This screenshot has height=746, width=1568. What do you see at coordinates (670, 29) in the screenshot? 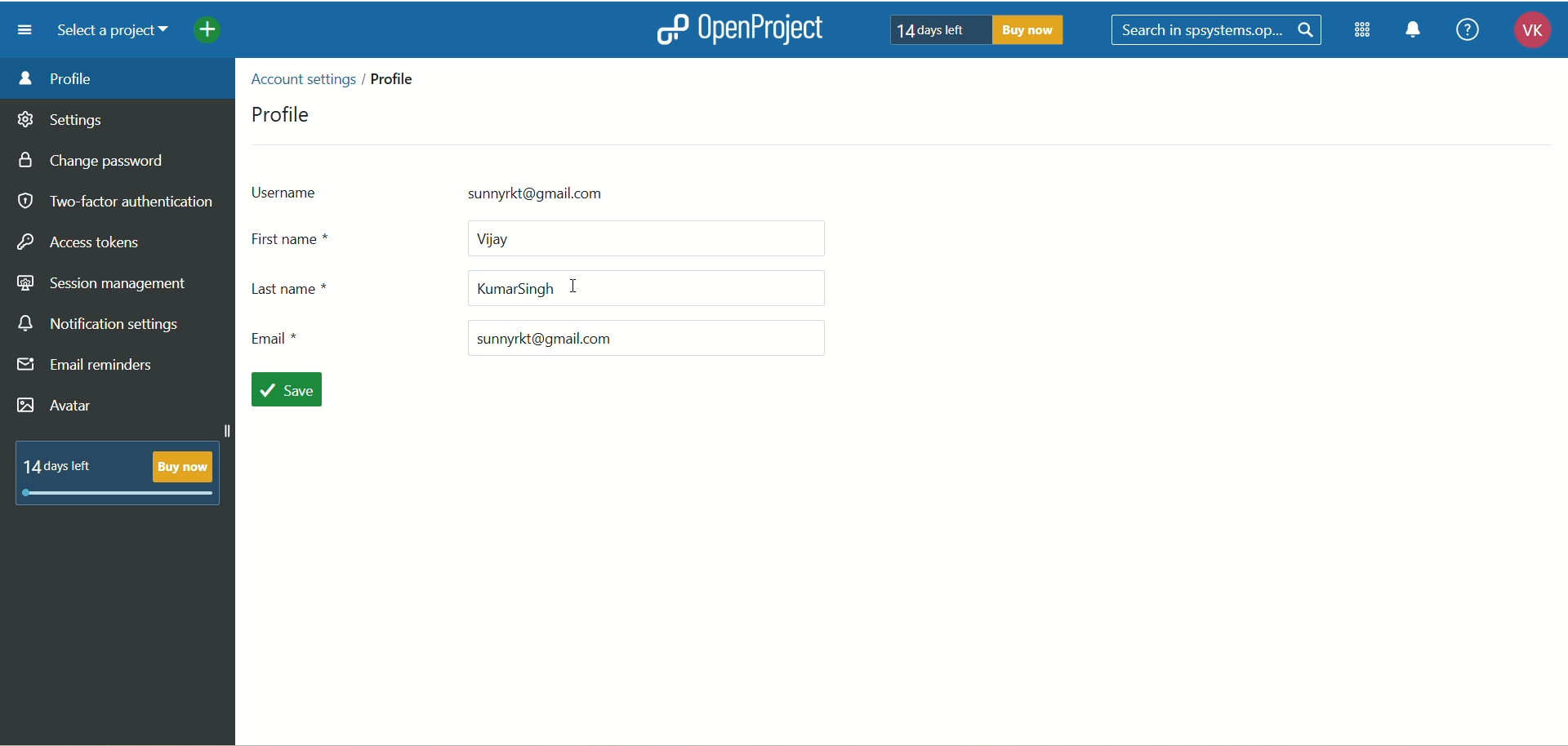
I see `logo` at bounding box center [670, 29].